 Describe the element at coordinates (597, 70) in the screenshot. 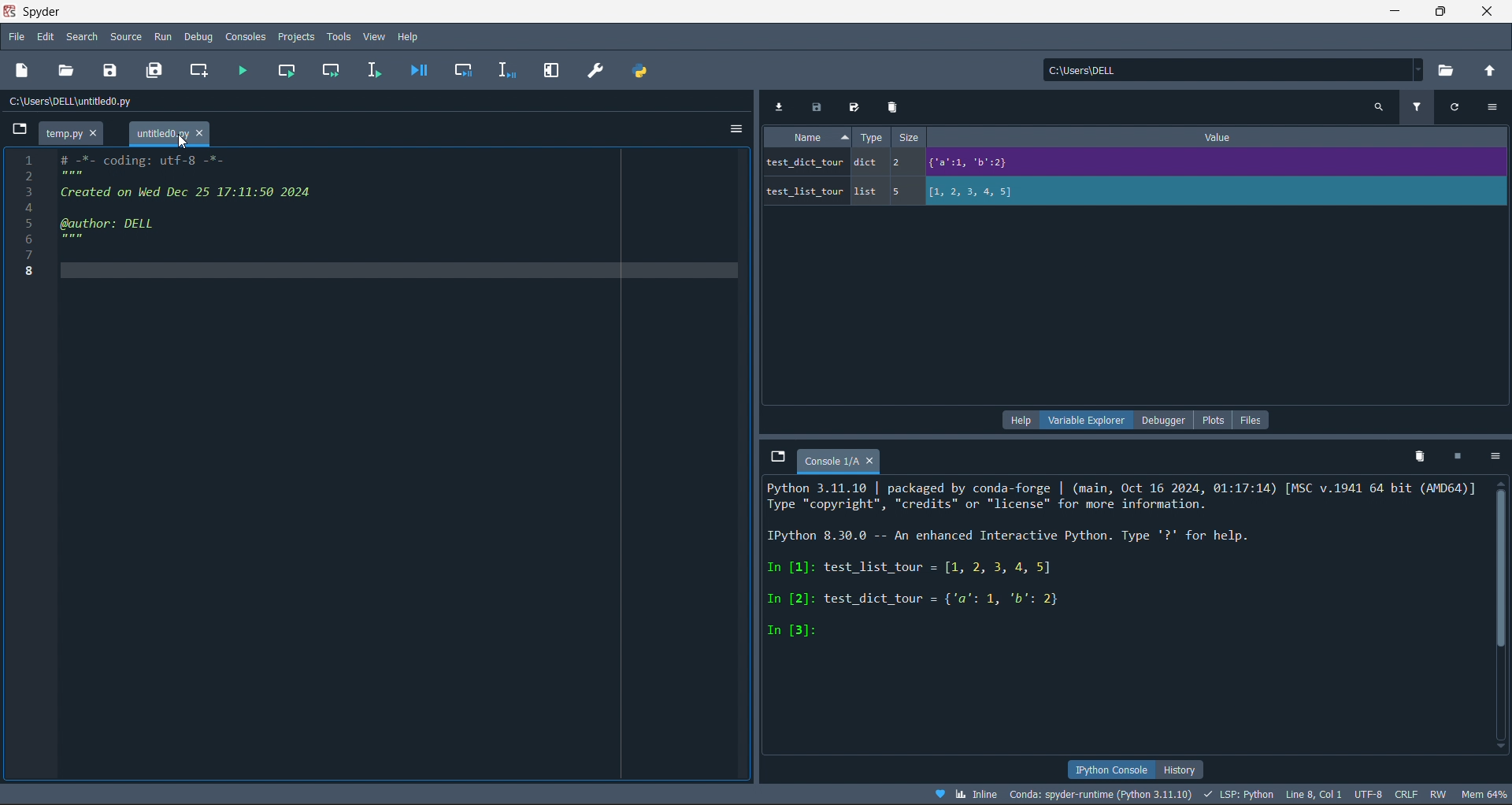

I see `preference` at that location.